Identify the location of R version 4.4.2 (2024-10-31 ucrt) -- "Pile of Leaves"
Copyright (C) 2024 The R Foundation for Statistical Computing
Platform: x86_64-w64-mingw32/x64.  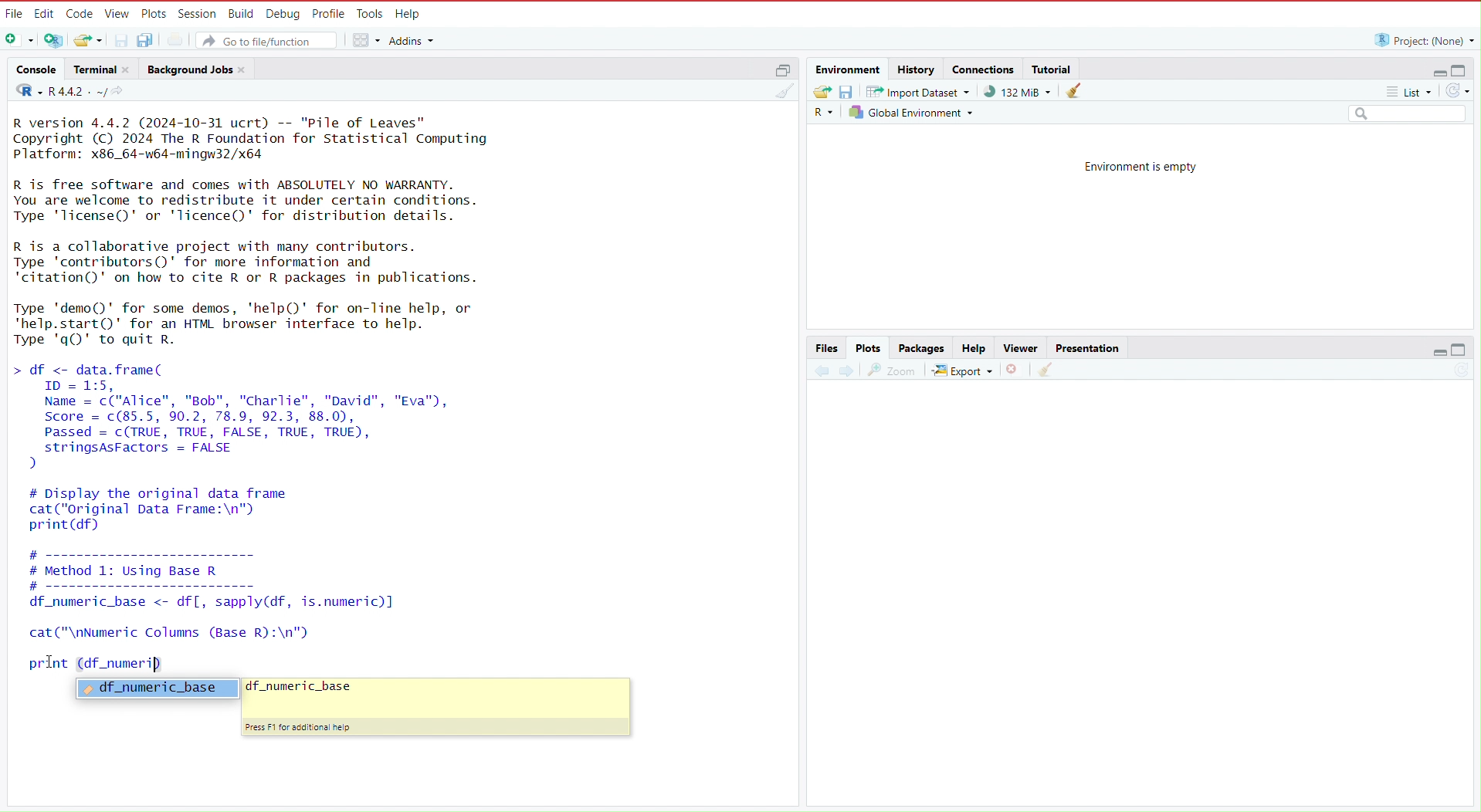
(259, 137).